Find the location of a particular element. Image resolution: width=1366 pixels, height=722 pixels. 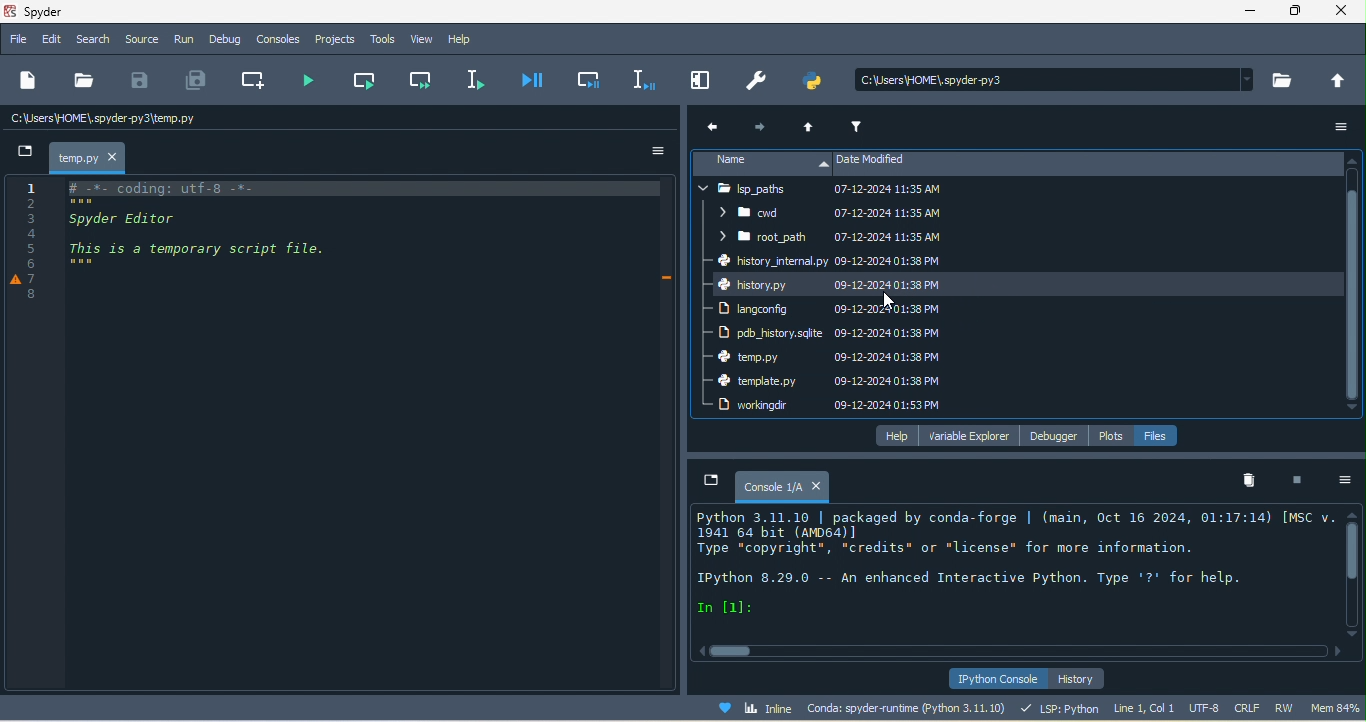

previous is located at coordinates (709, 125).